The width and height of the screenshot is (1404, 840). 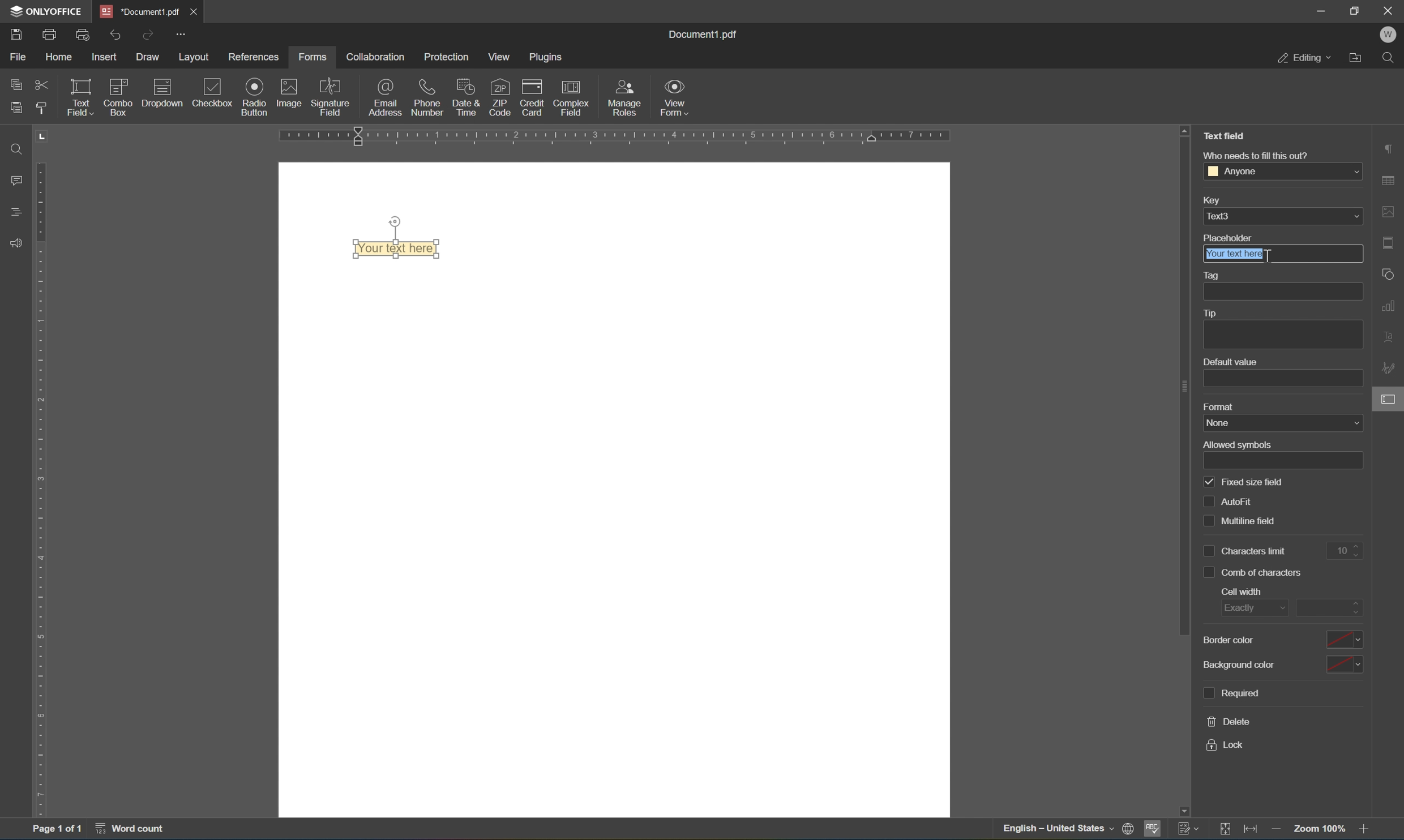 I want to click on placeholder, so click(x=1259, y=235).